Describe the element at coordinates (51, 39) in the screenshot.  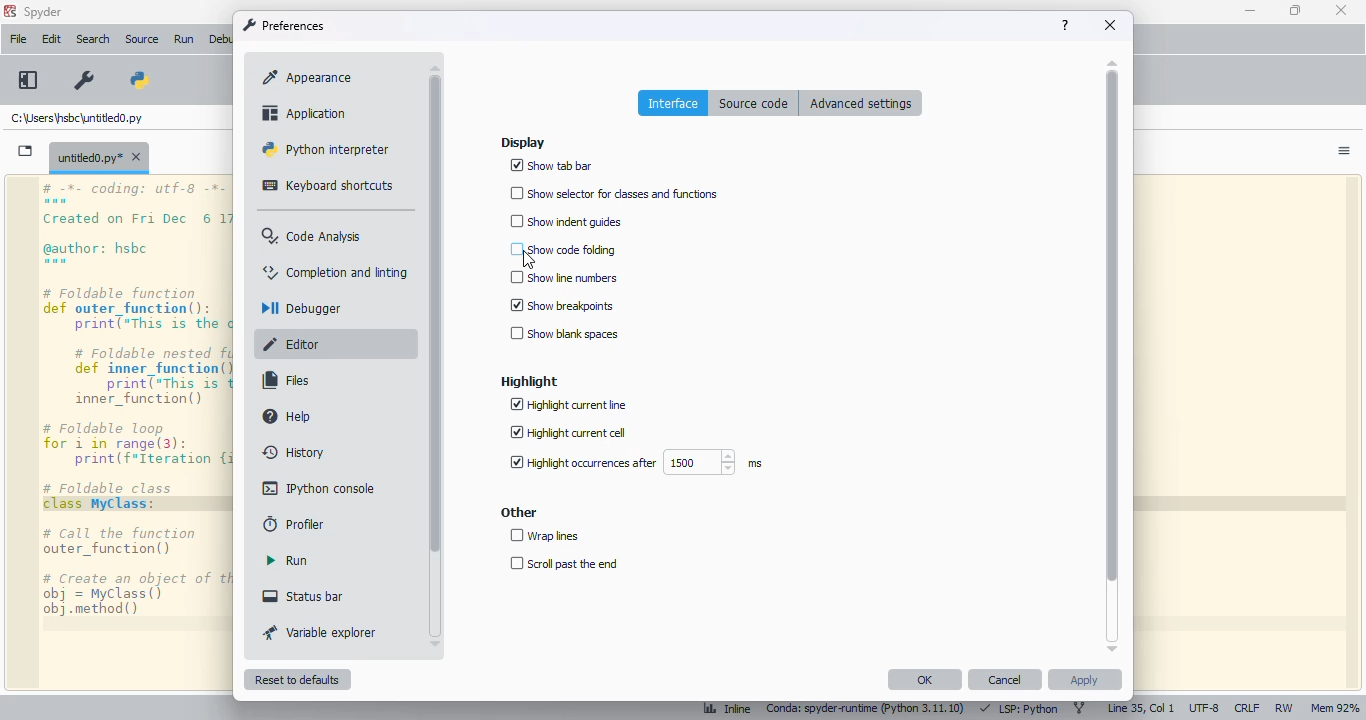
I see `edit` at that location.